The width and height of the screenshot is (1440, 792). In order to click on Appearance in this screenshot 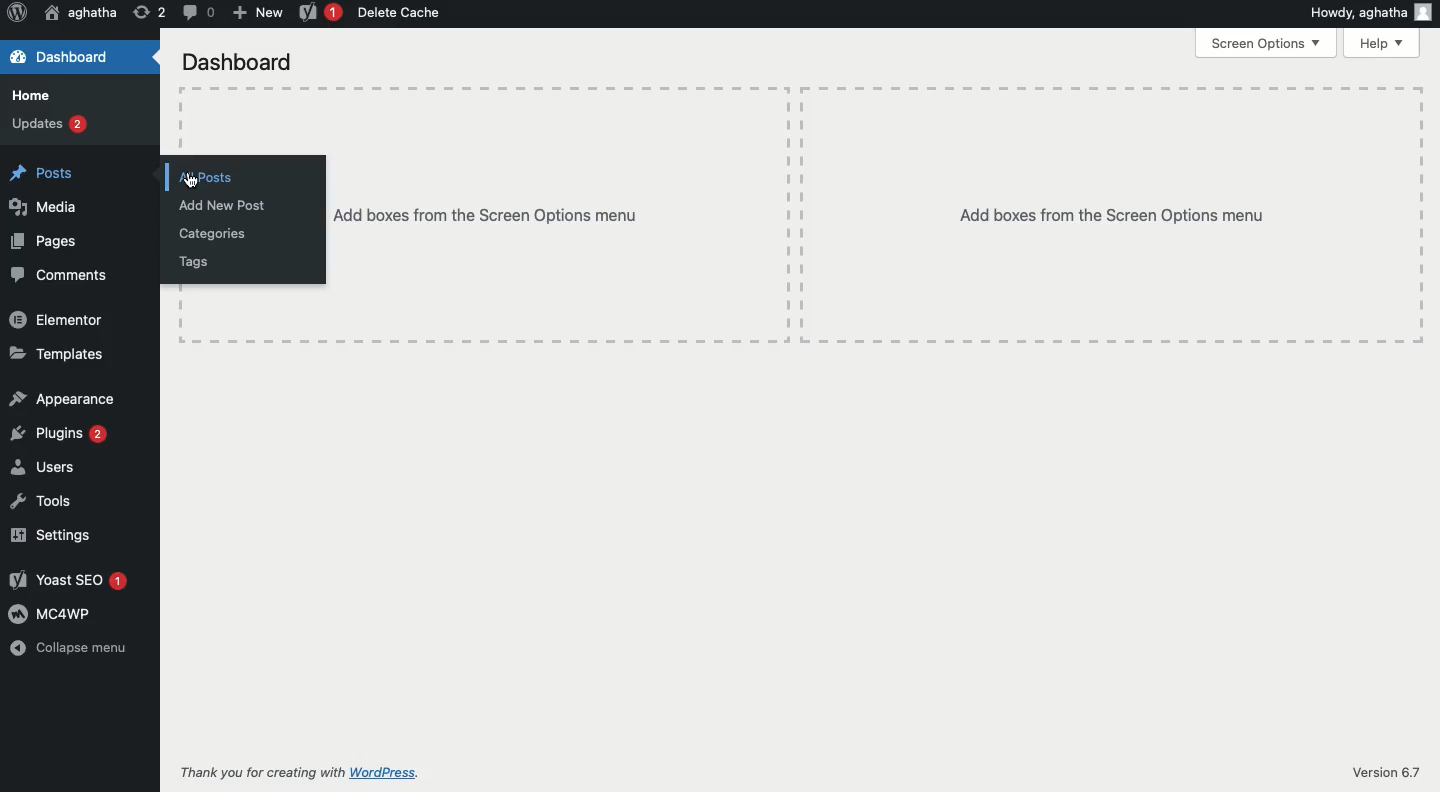, I will do `click(66, 399)`.